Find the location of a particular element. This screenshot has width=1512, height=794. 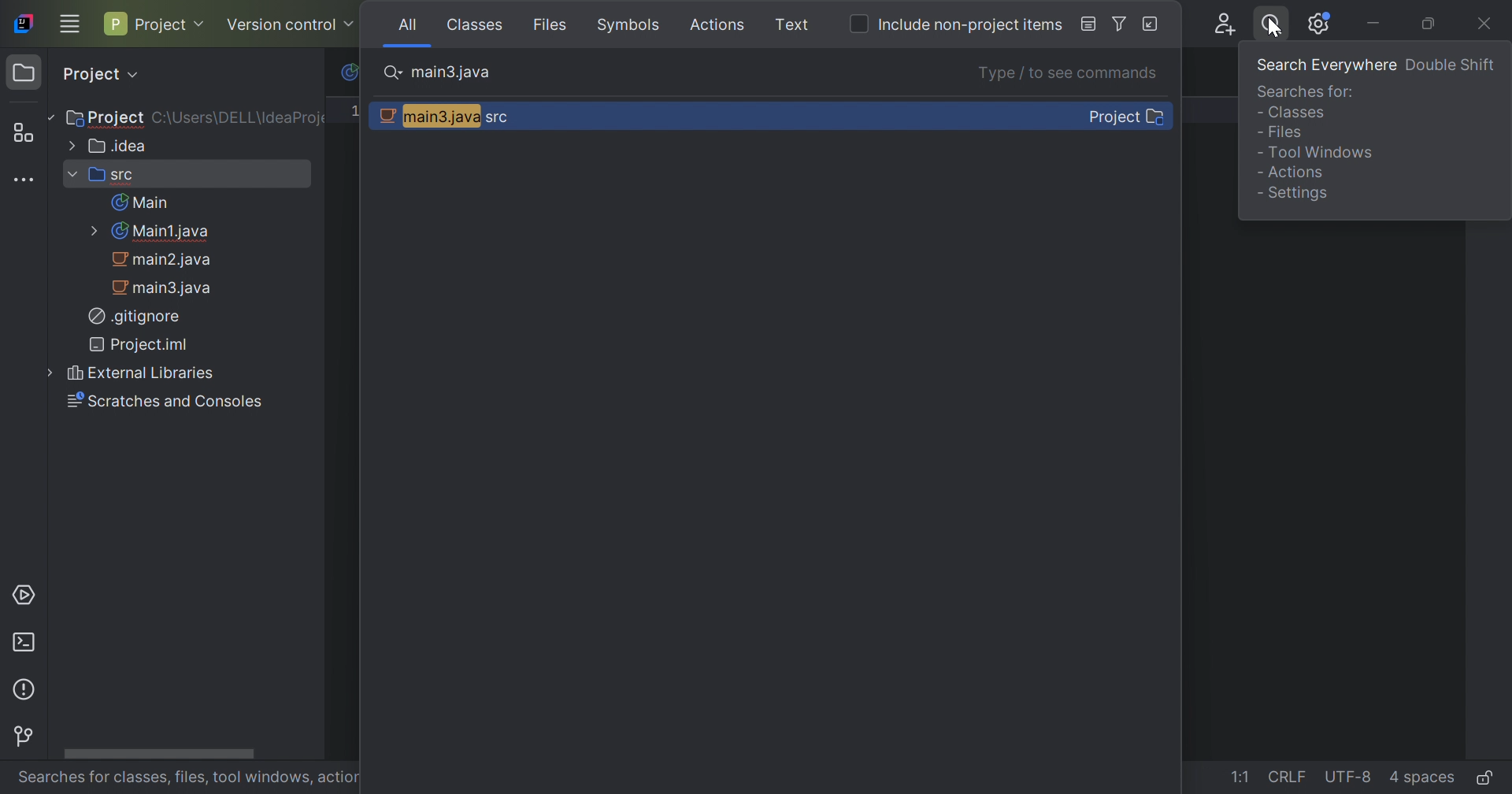

main3.java is located at coordinates (165, 287).